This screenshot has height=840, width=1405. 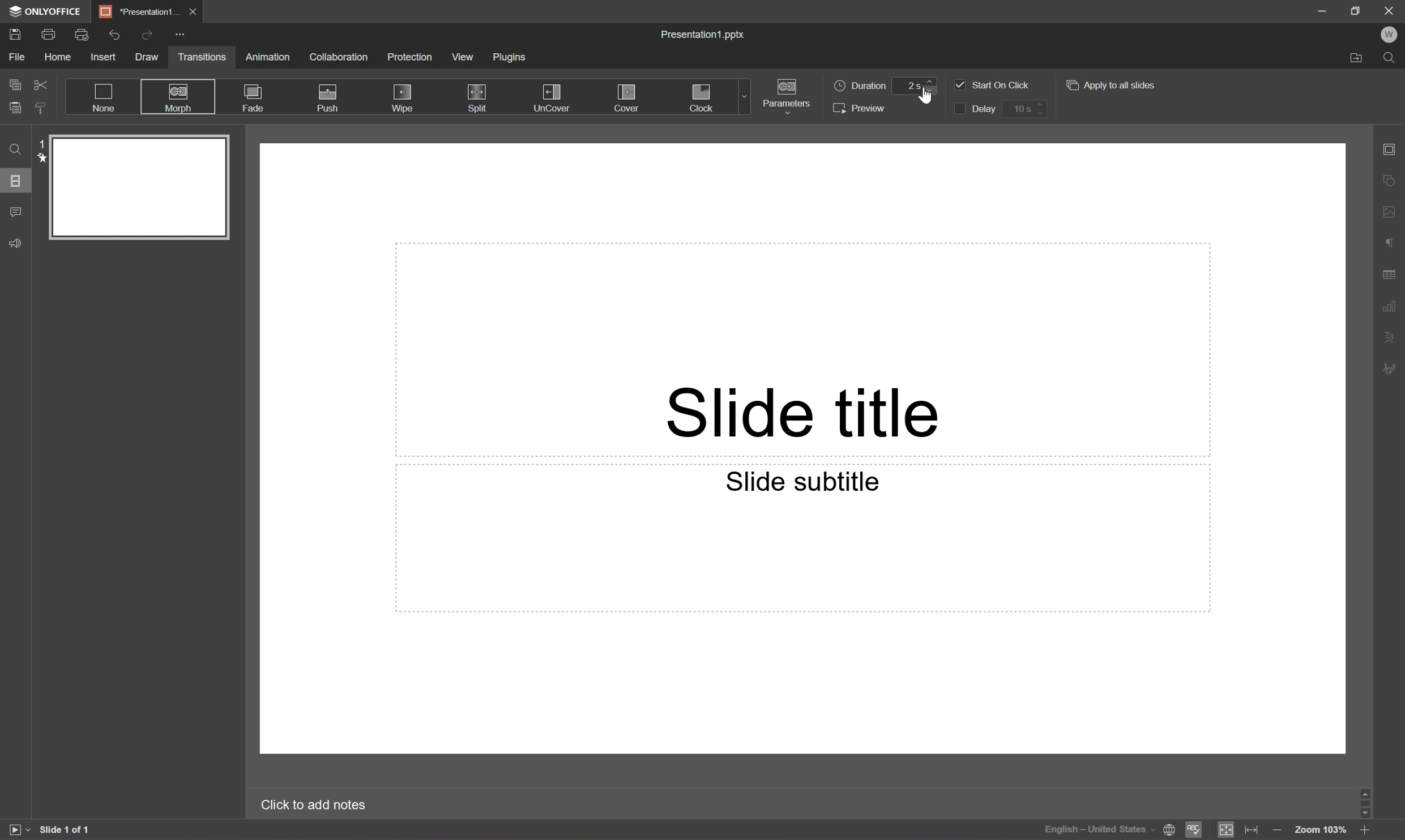 I want to click on Uncover, so click(x=553, y=97).